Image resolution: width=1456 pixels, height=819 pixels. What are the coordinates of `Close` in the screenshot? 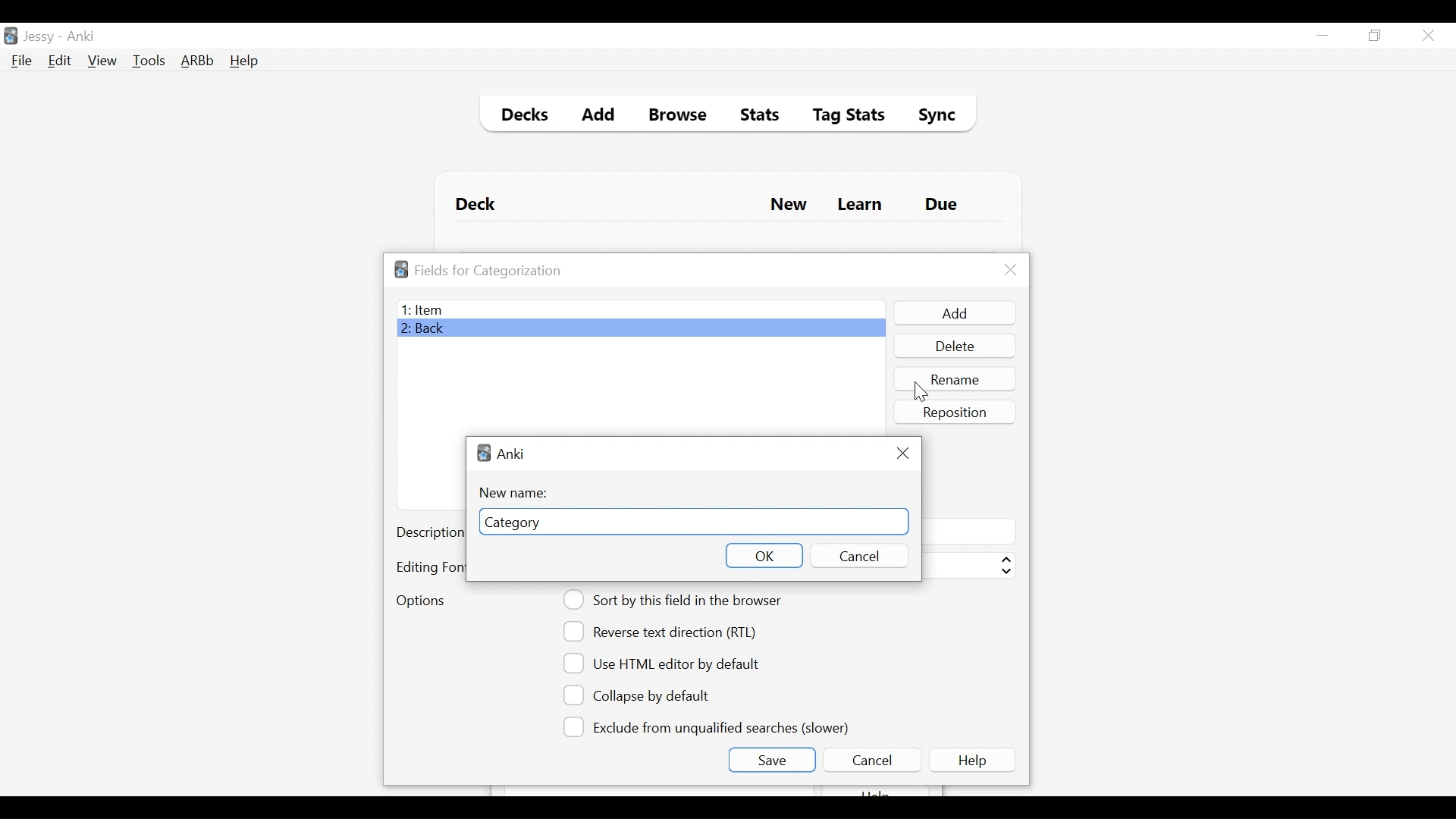 It's located at (1428, 36).